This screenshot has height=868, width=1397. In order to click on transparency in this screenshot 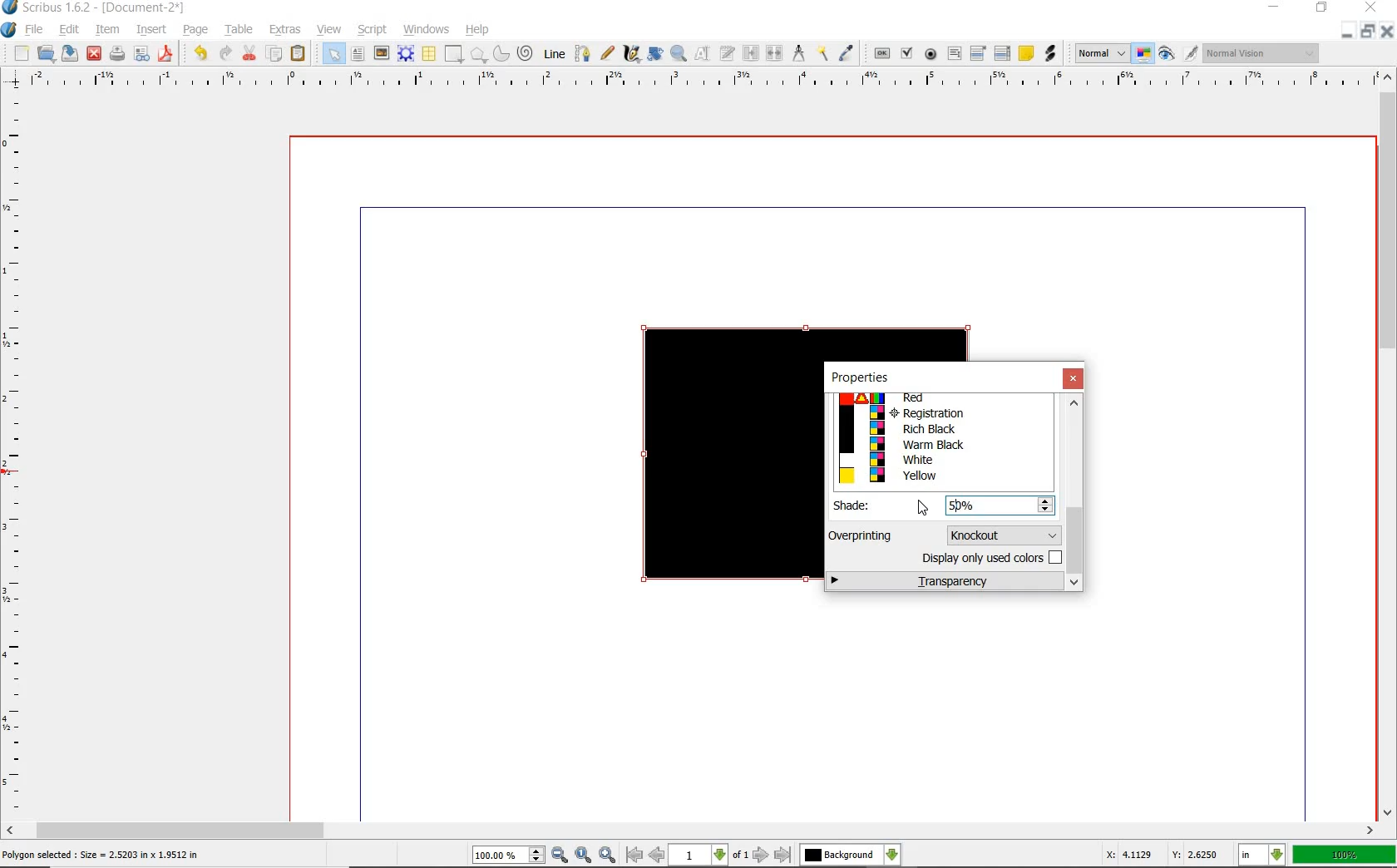, I will do `click(945, 582)`.